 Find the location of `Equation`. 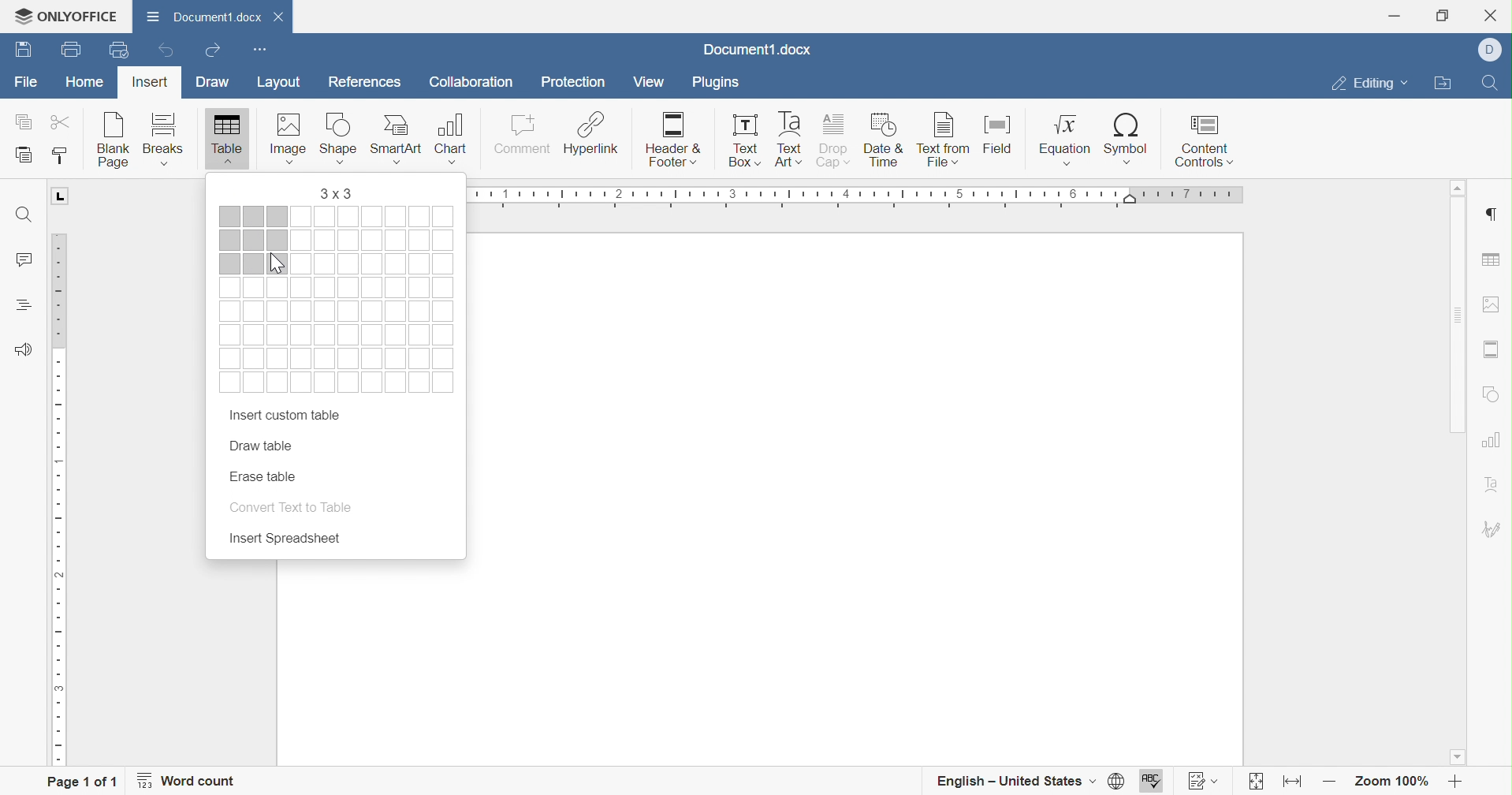

Equation is located at coordinates (1063, 140).